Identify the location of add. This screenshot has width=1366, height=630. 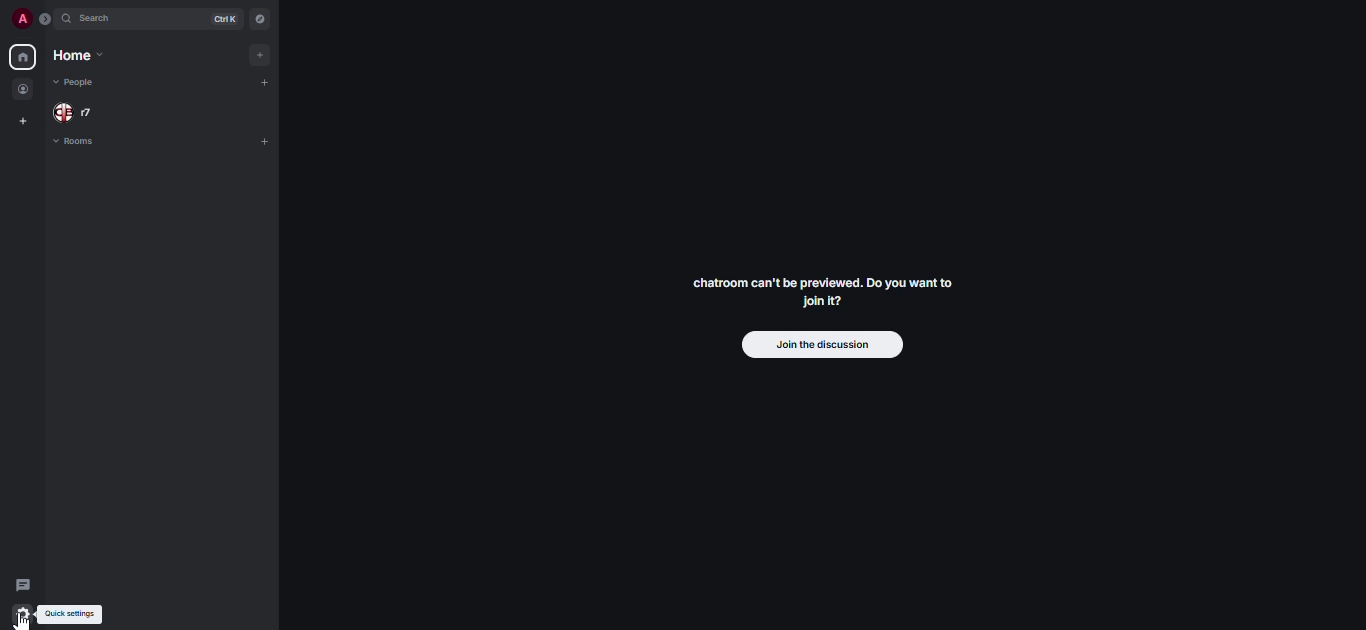
(263, 143).